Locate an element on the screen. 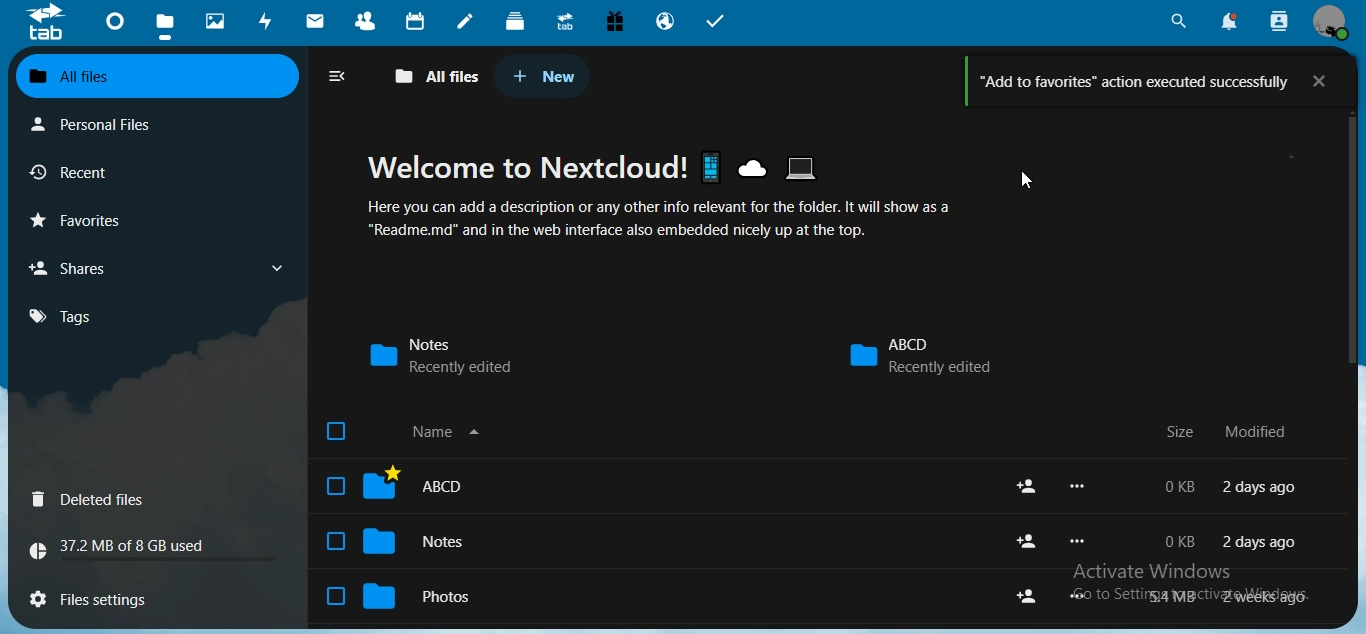 This screenshot has height=634, width=1366. email hosting is located at coordinates (665, 22).